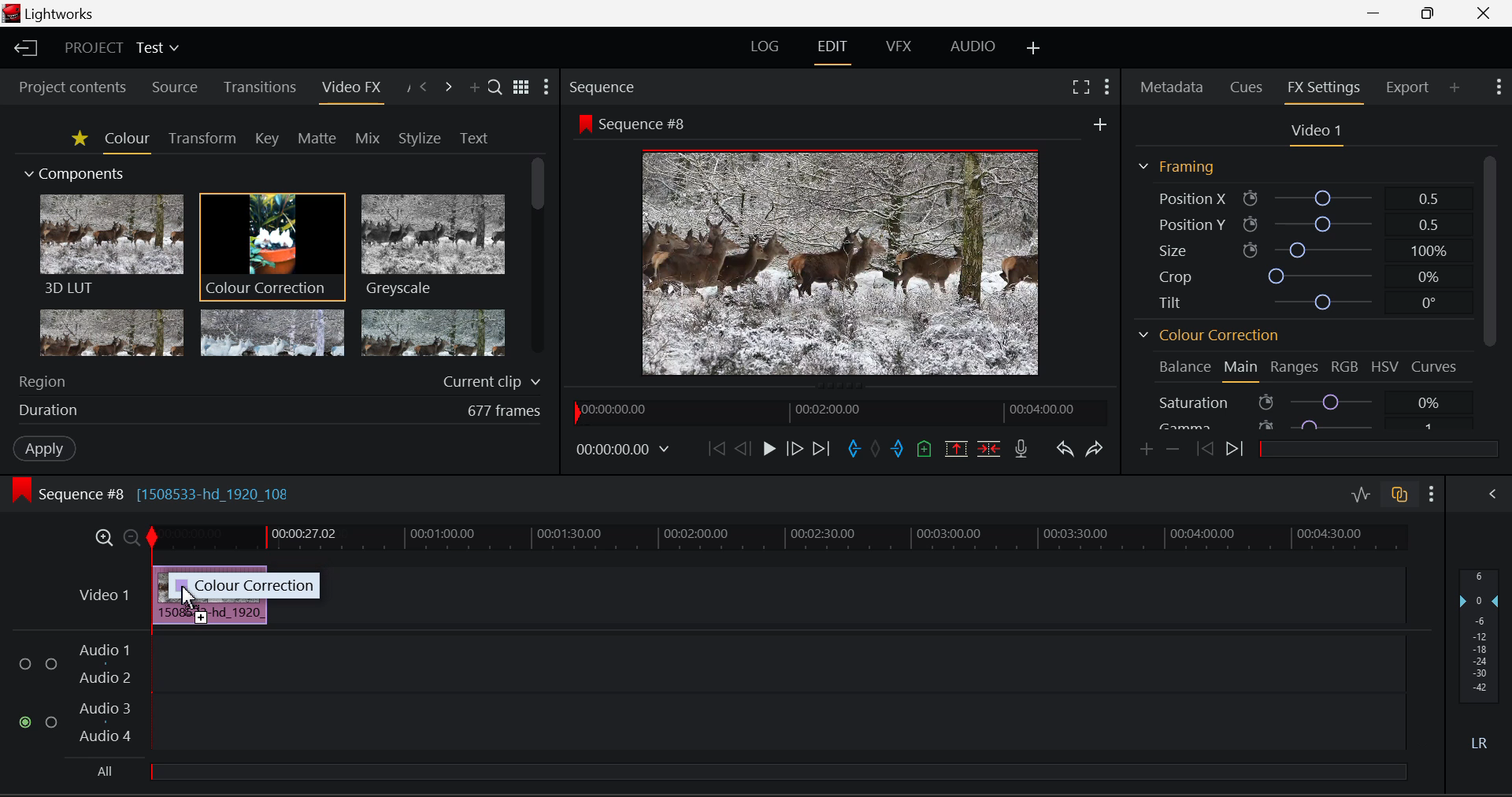  What do you see at coordinates (132, 539) in the screenshot?
I see `Timeline Zoom Out` at bounding box center [132, 539].